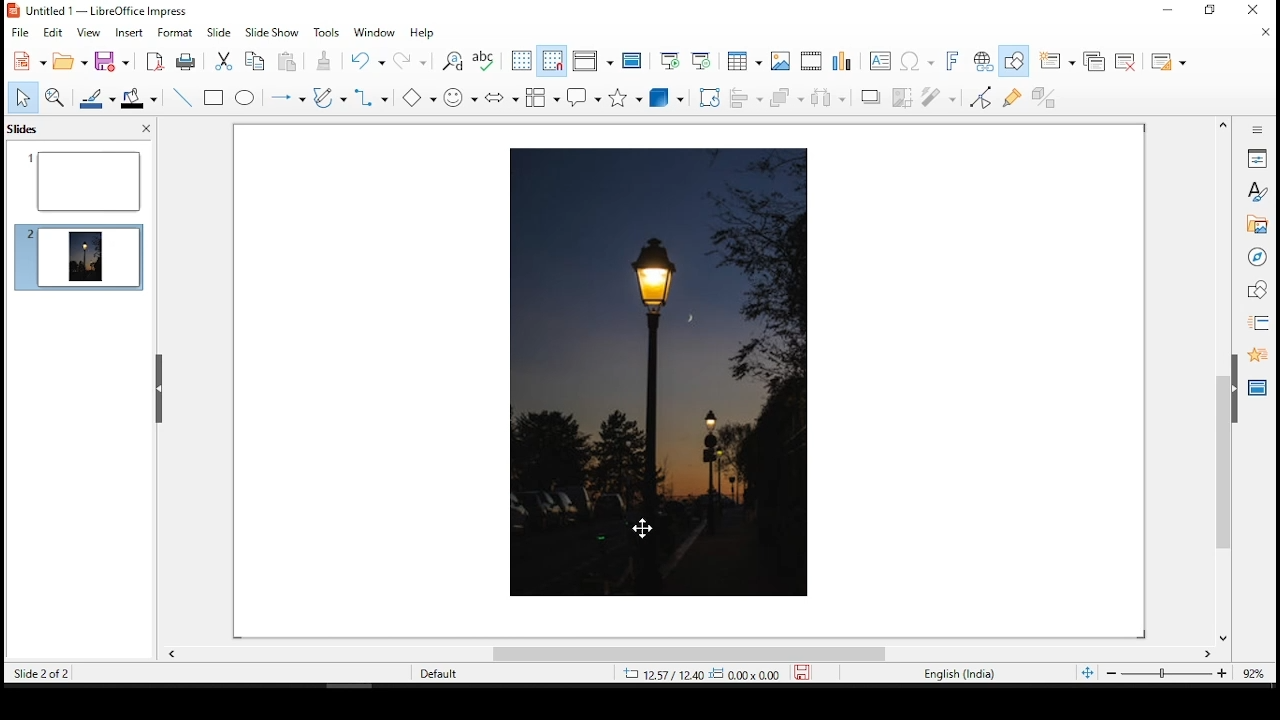 This screenshot has width=1280, height=720. I want to click on properties , so click(1257, 157).